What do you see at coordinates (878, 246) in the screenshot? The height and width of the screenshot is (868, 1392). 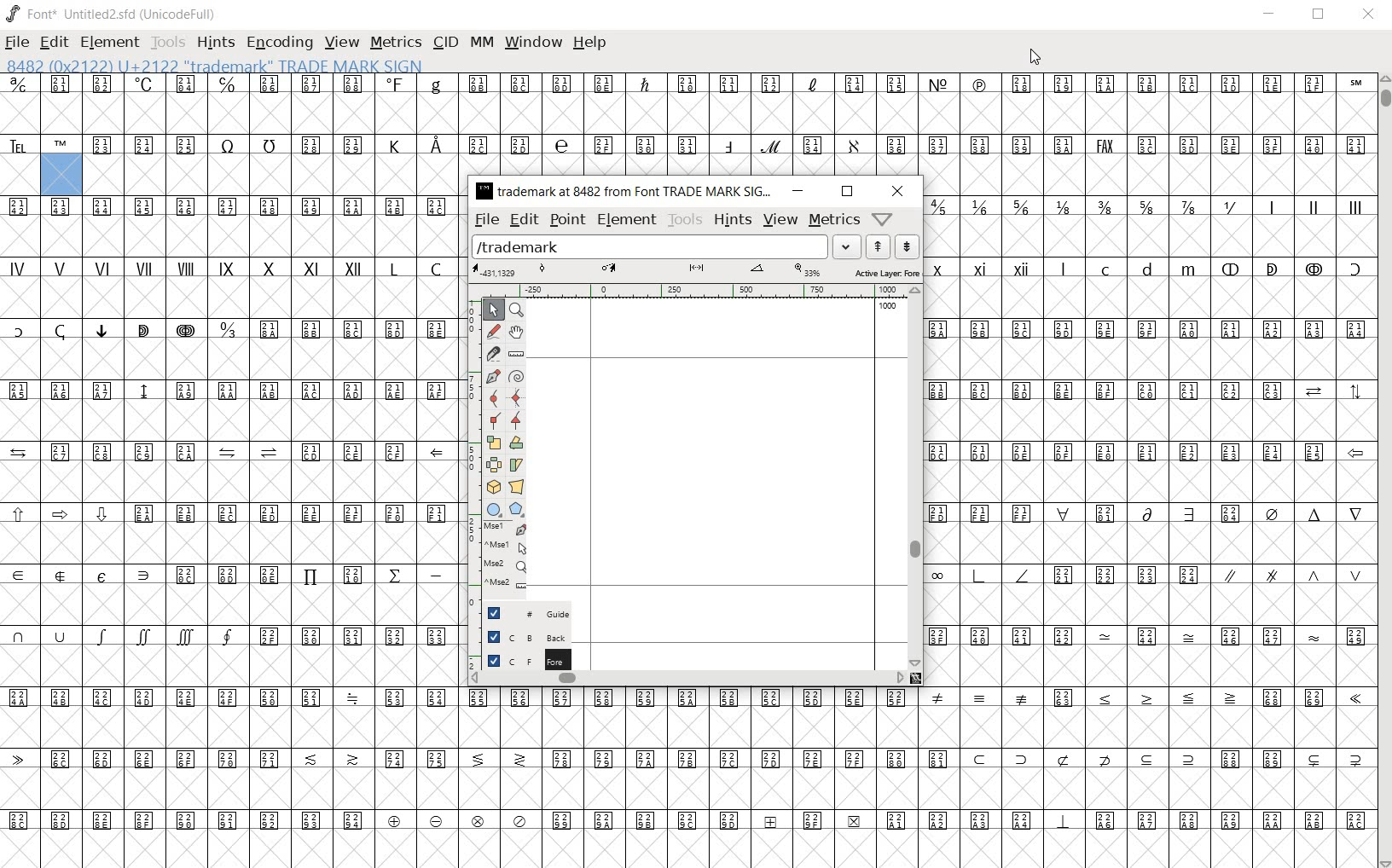 I see `show the next word on the list` at bounding box center [878, 246].